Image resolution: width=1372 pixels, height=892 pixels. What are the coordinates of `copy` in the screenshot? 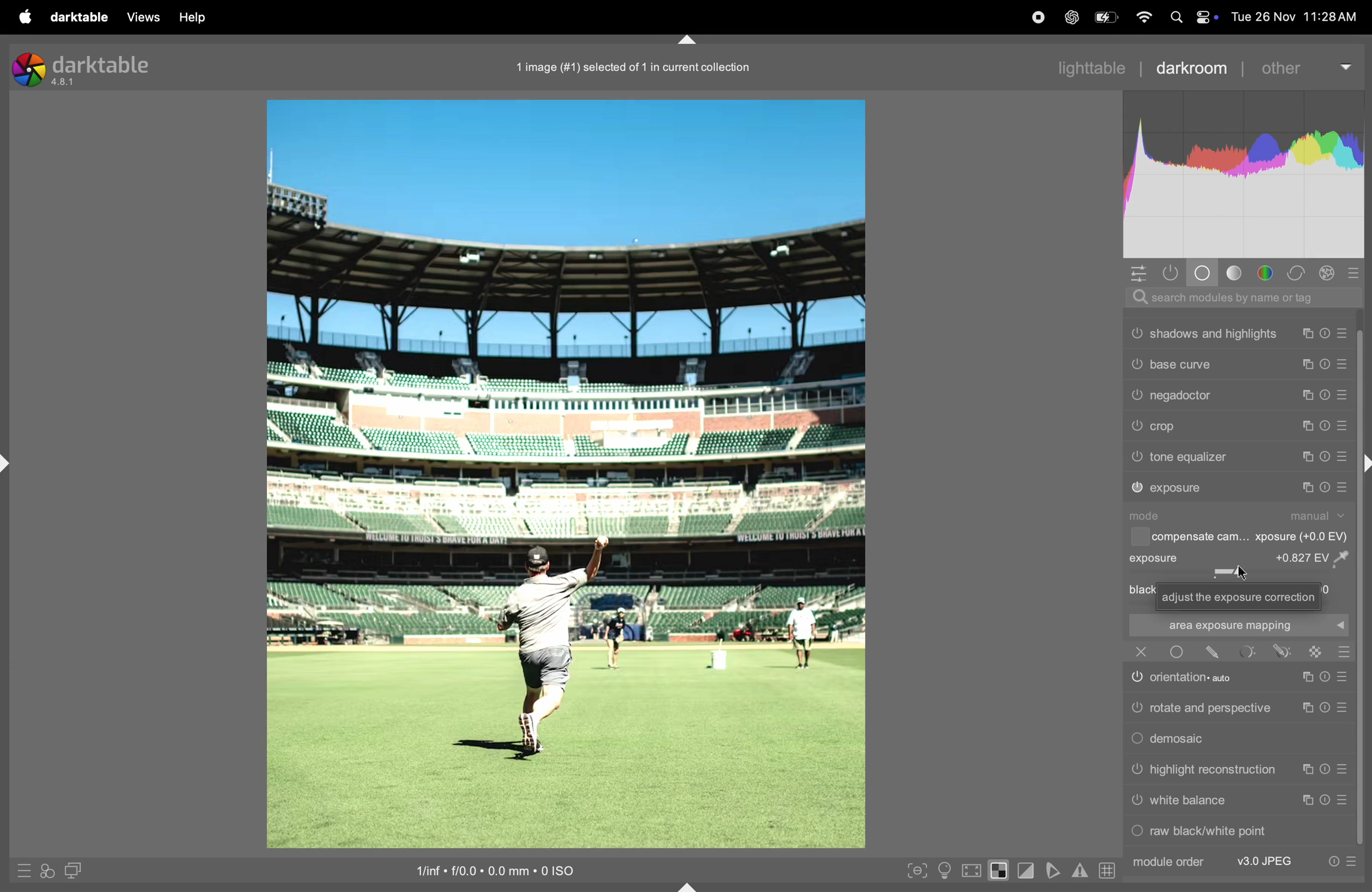 It's located at (1305, 678).